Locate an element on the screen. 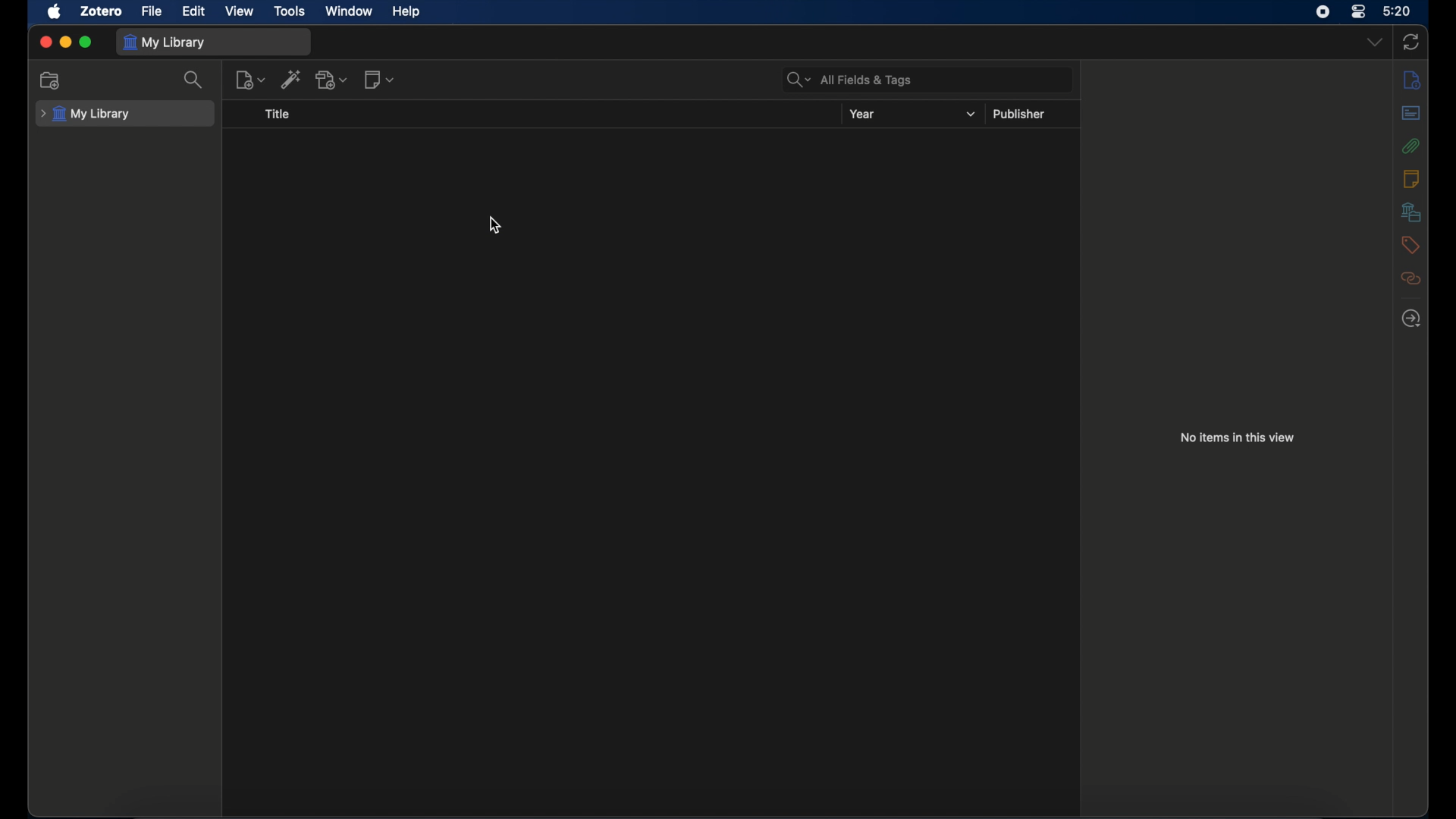  add item by identifier is located at coordinates (291, 79).